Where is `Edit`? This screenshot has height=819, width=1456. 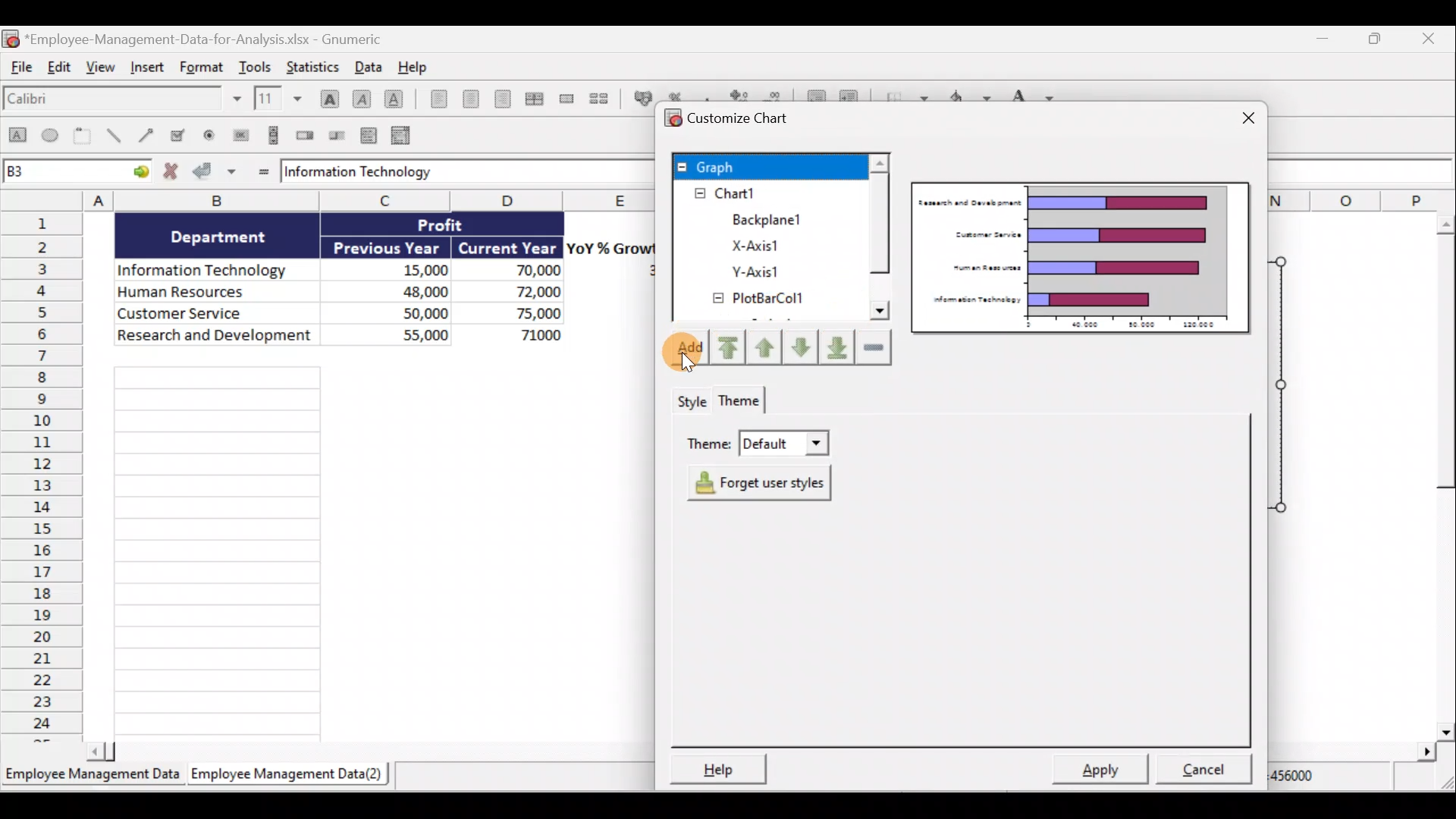
Edit is located at coordinates (56, 67).